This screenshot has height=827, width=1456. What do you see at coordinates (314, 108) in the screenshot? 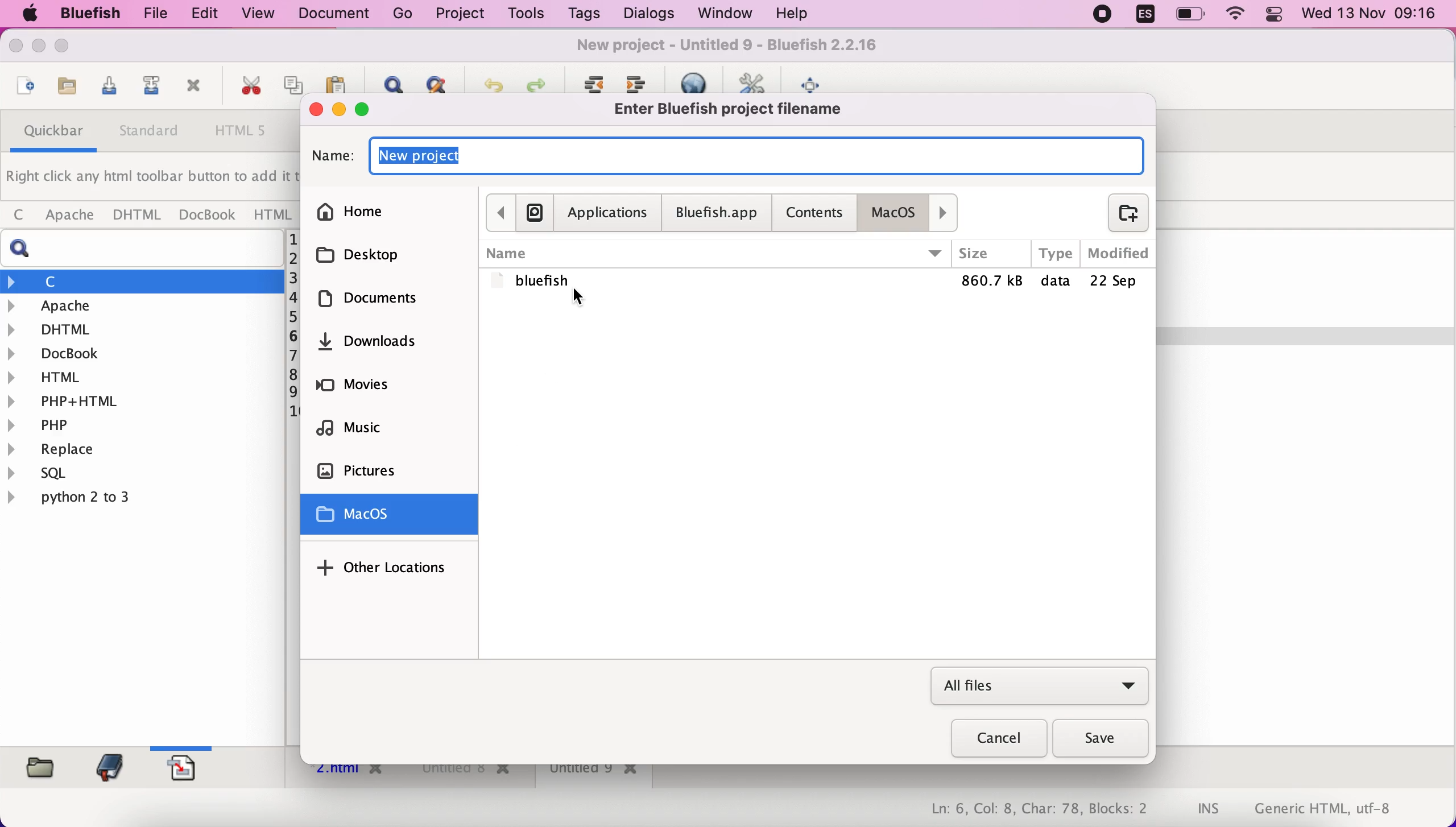
I see `close` at bounding box center [314, 108].